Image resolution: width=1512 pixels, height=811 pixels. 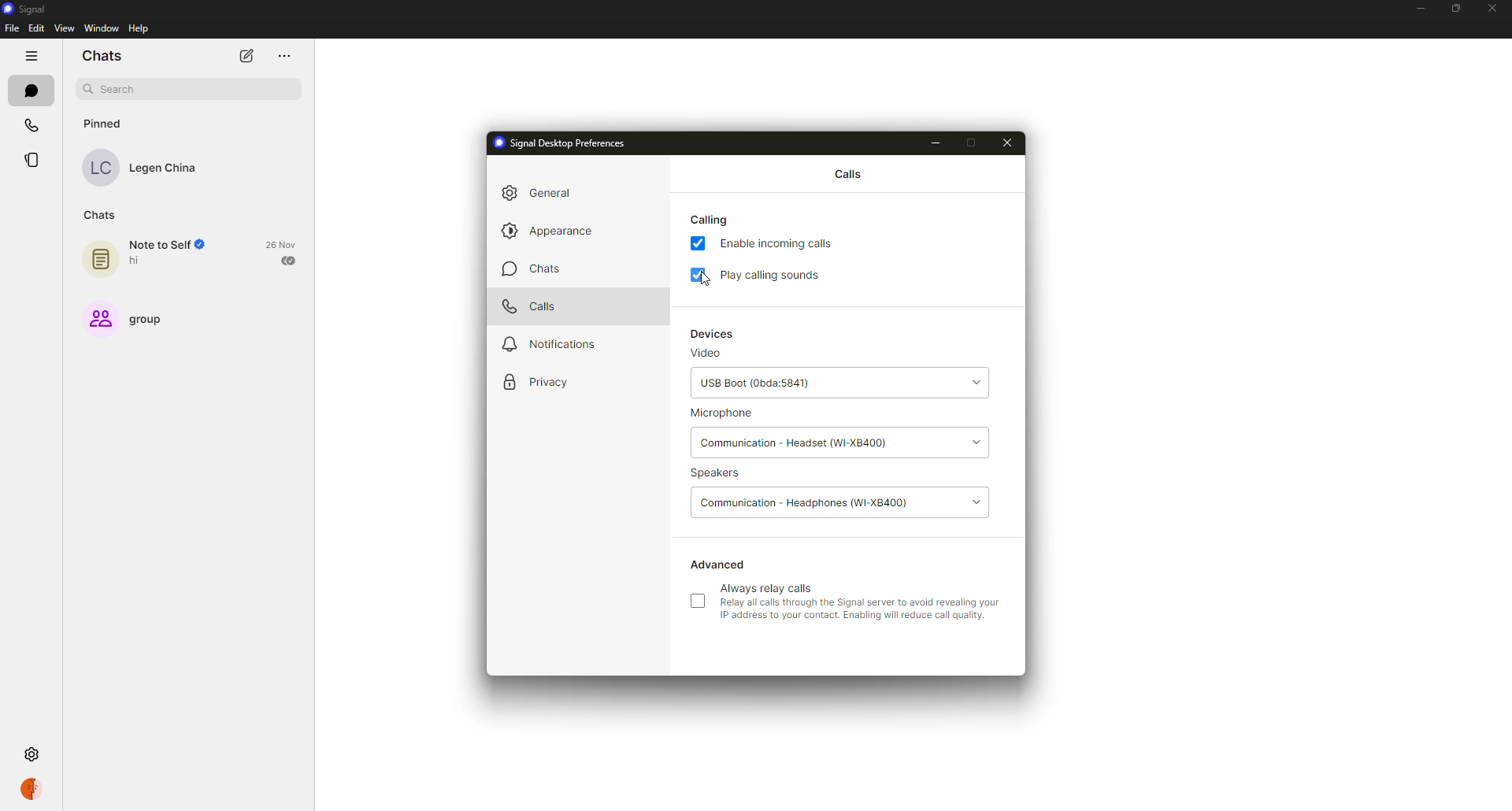 I want to click on window, so click(x=102, y=27).